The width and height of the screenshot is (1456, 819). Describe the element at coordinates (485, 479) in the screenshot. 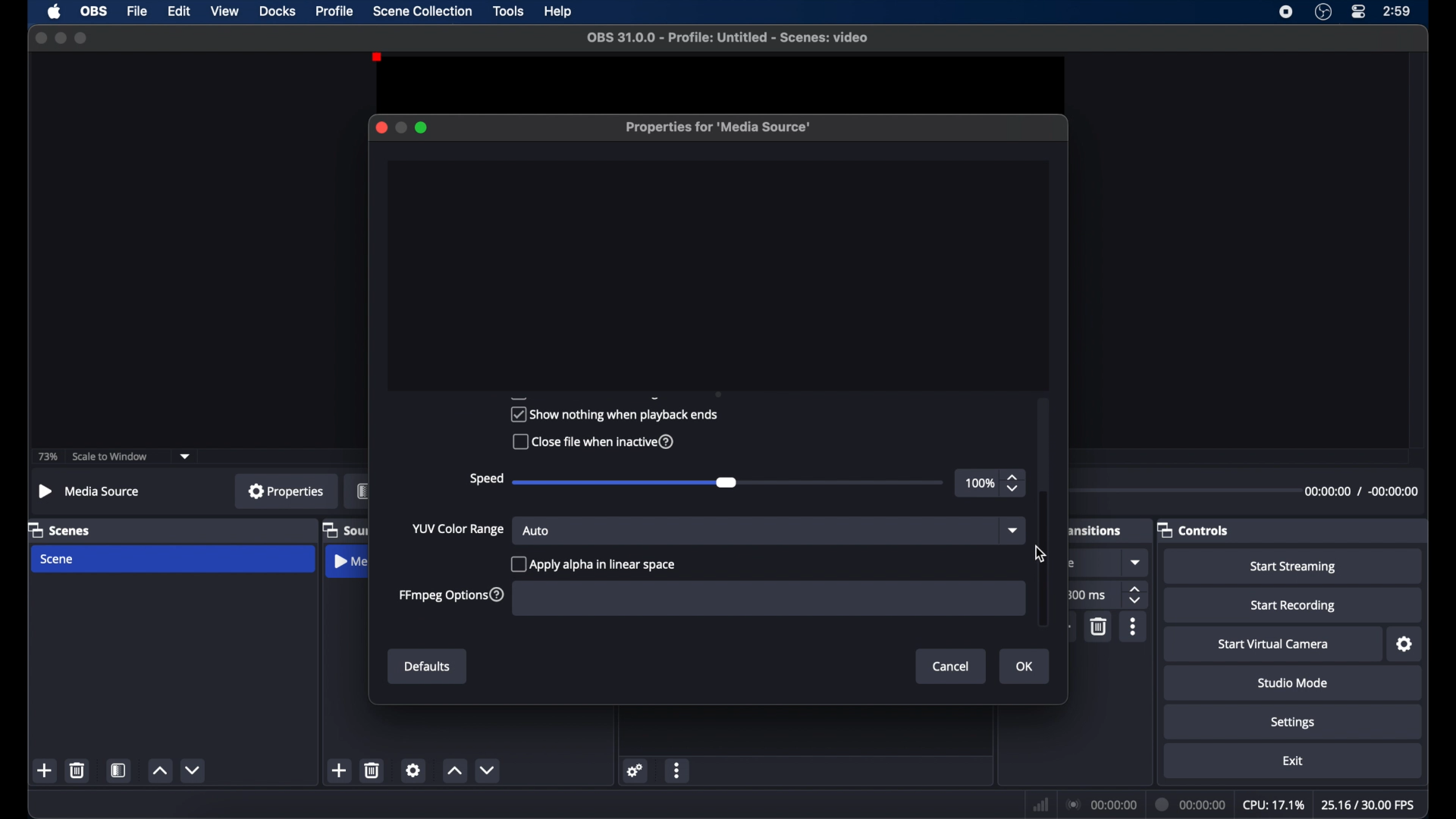

I see `speed` at that location.